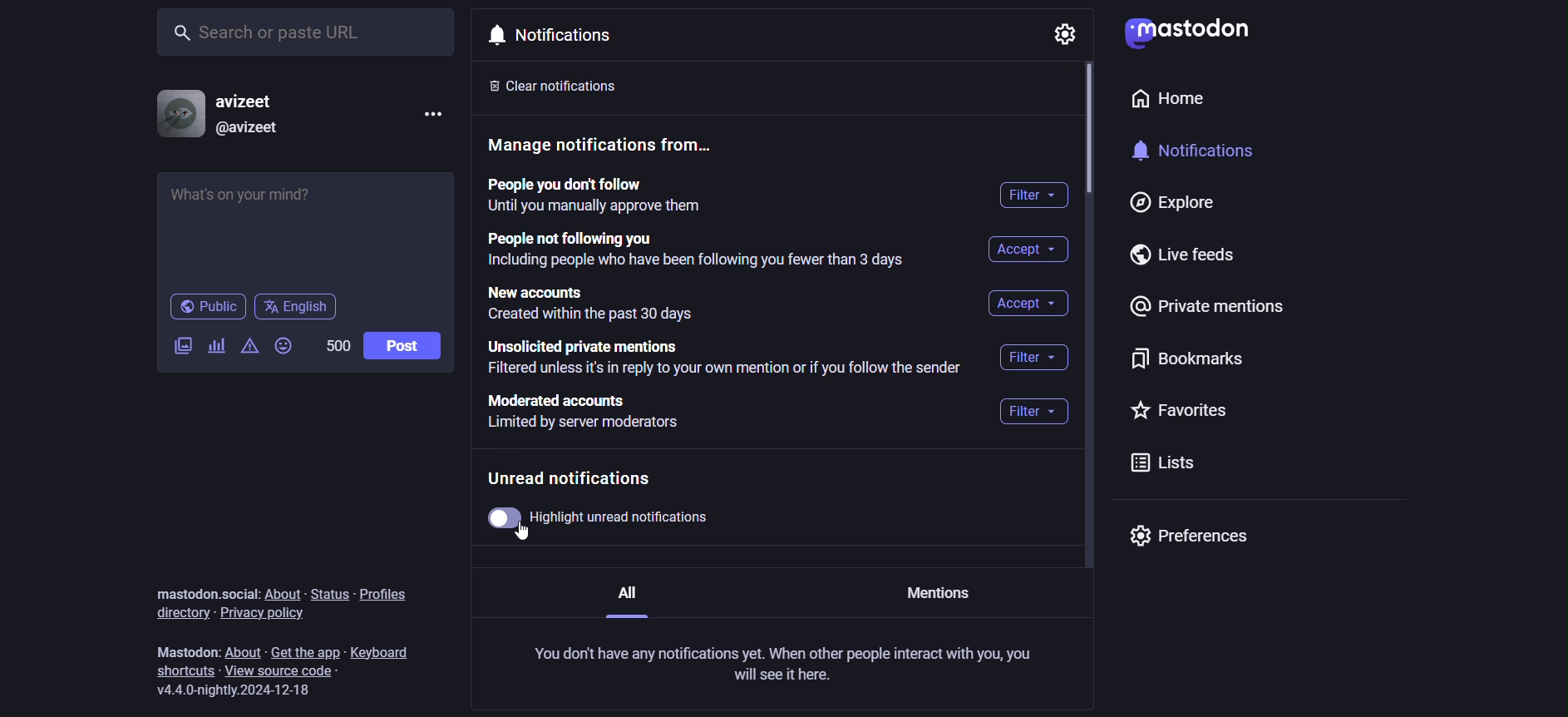 The height and width of the screenshot is (717, 1568). I want to click on filter, so click(1033, 415).